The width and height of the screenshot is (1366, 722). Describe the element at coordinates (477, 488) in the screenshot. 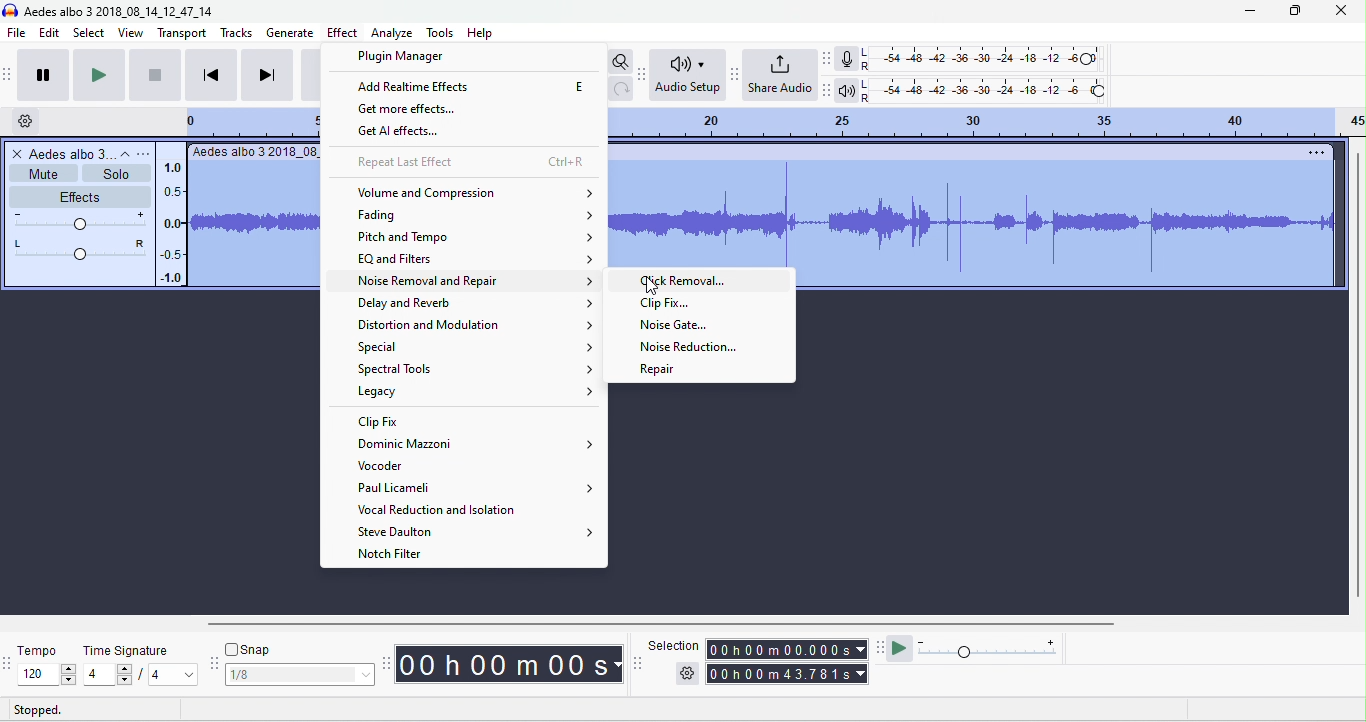

I see `paul licameli` at that location.